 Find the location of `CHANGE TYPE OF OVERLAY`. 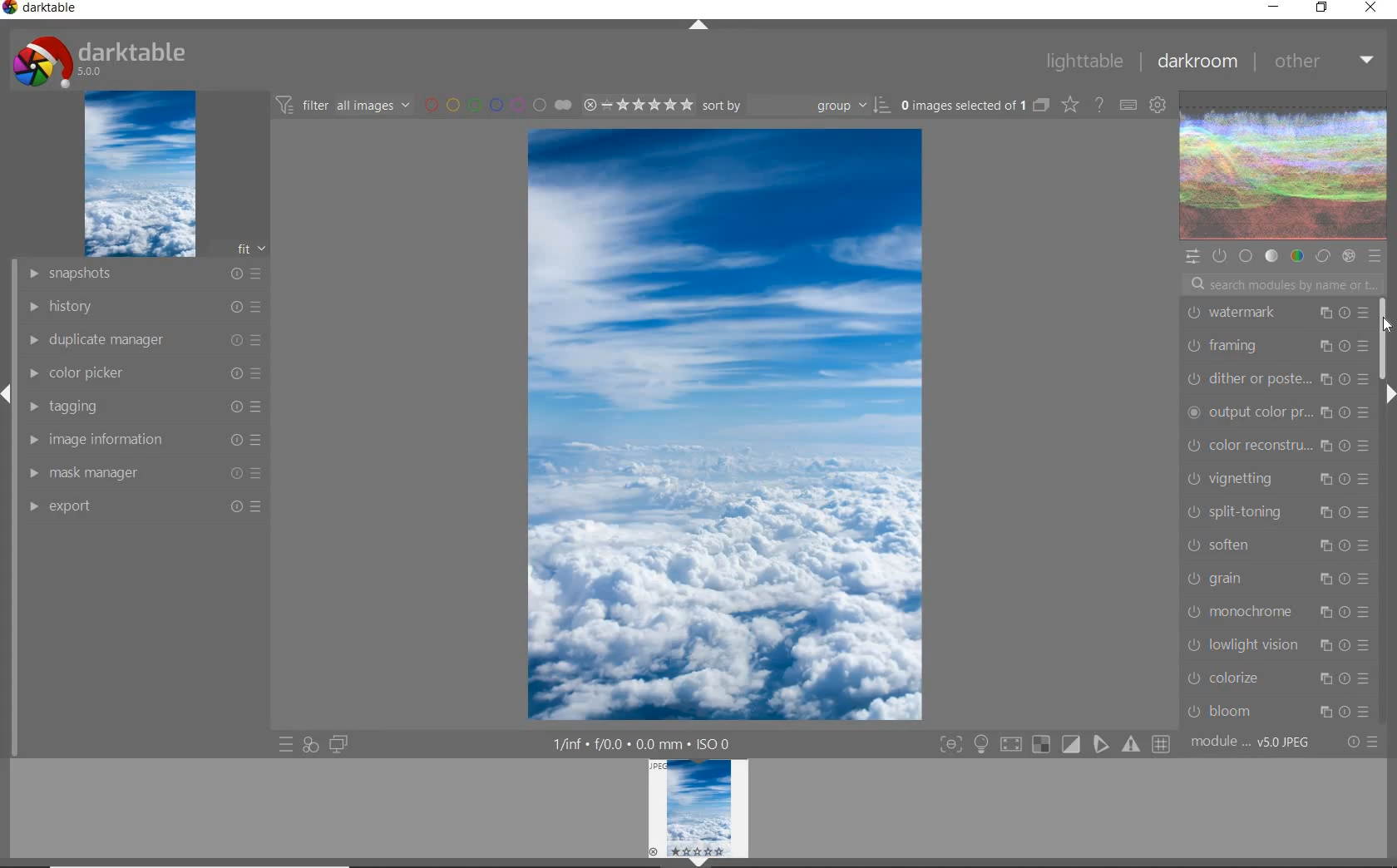

CHANGE TYPE OF OVERLAY is located at coordinates (1069, 106).